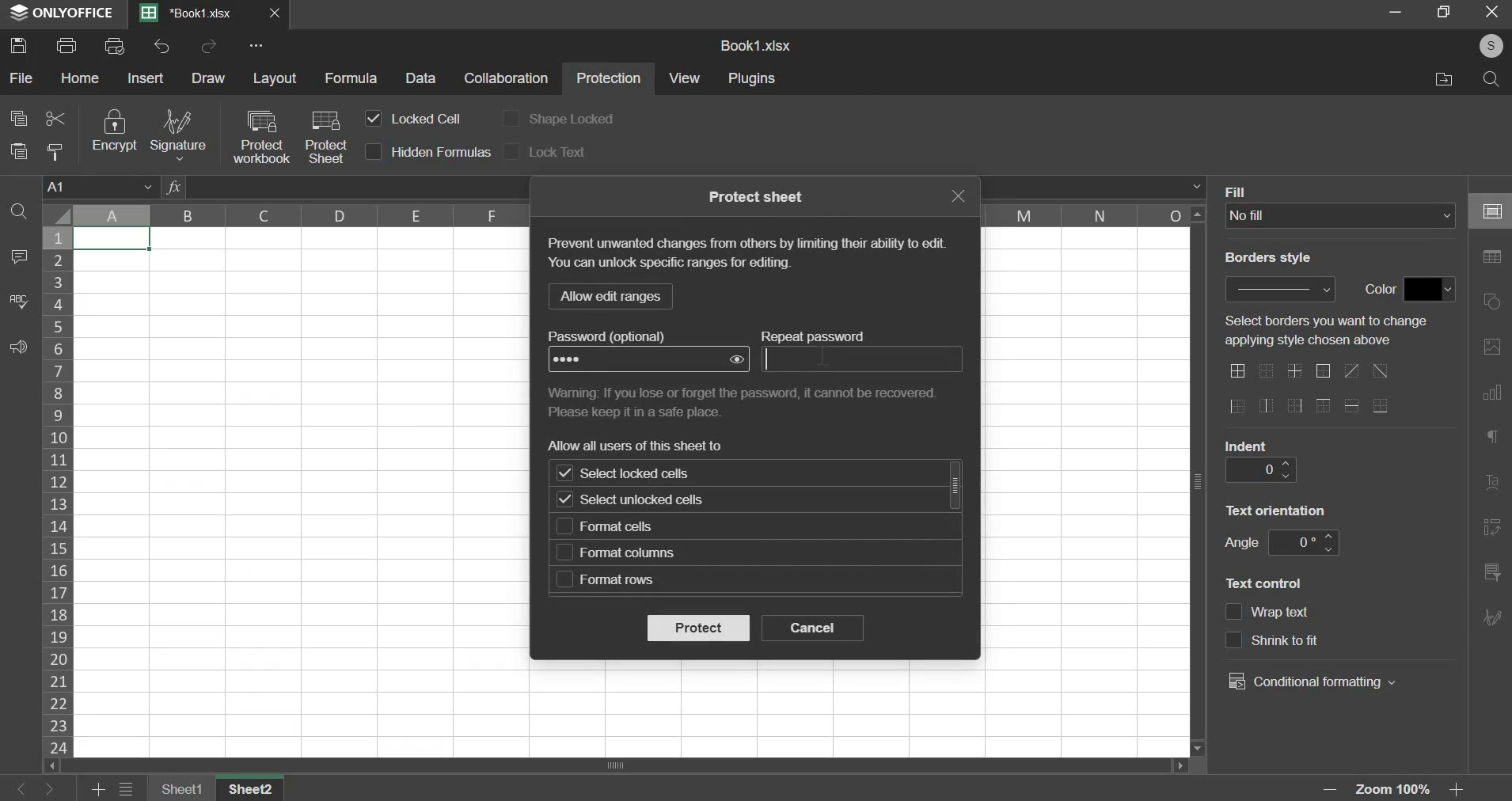  Describe the element at coordinates (1461, 790) in the screenshot. I see `zoom in` at that location.